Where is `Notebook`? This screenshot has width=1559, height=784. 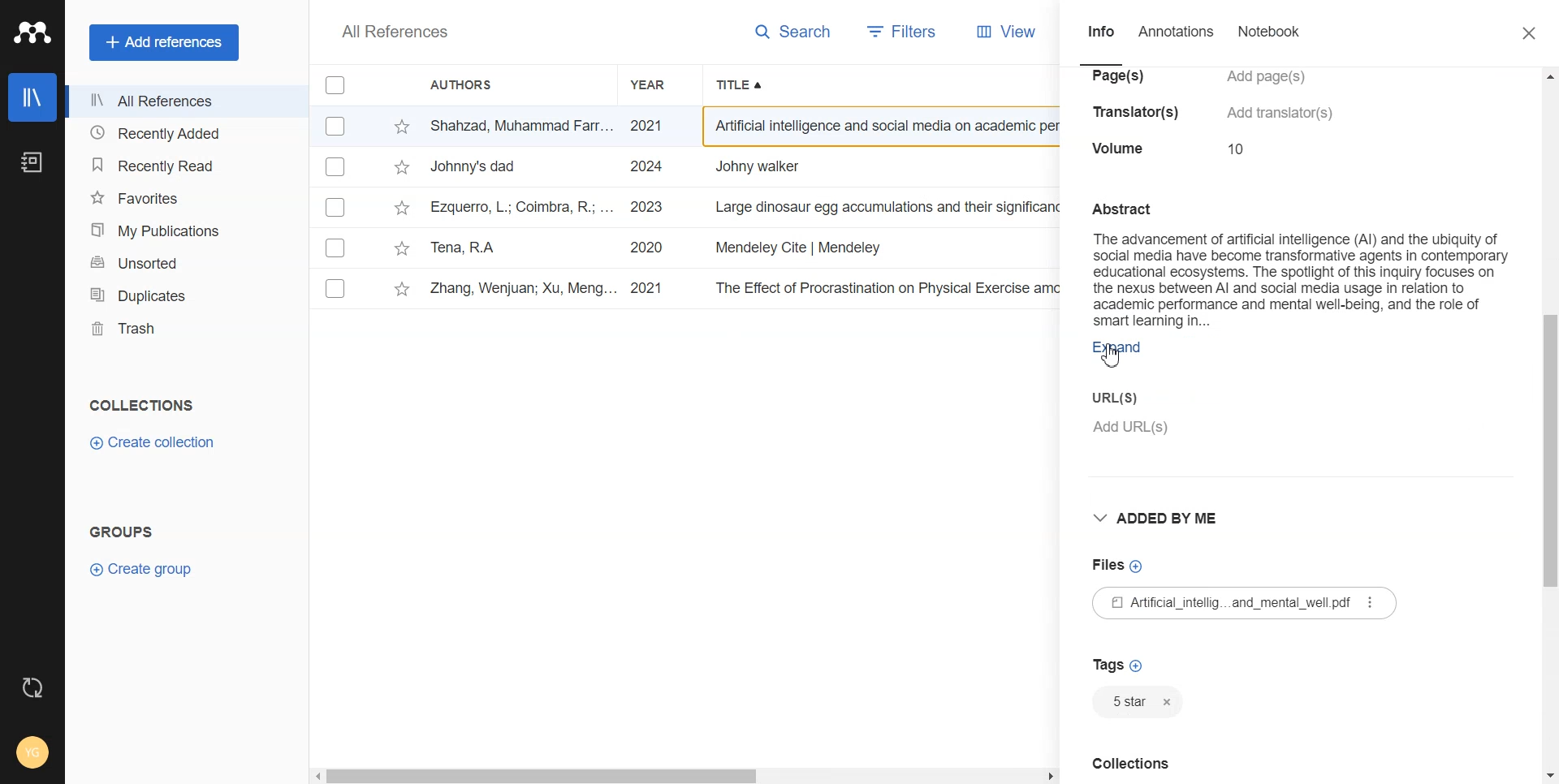 Notebook is located at coordinates (33, 162).